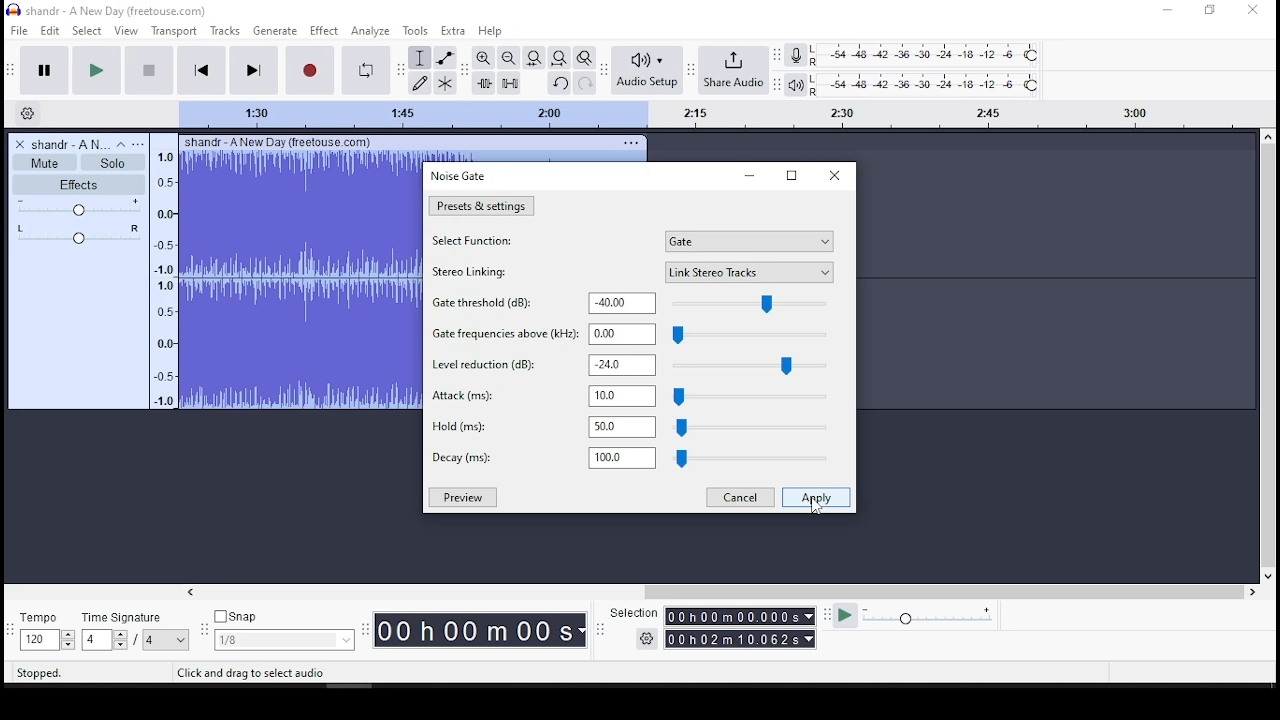  Describe the element at coordinates (585, 82) in the screenshot. I see `redo` at that location.